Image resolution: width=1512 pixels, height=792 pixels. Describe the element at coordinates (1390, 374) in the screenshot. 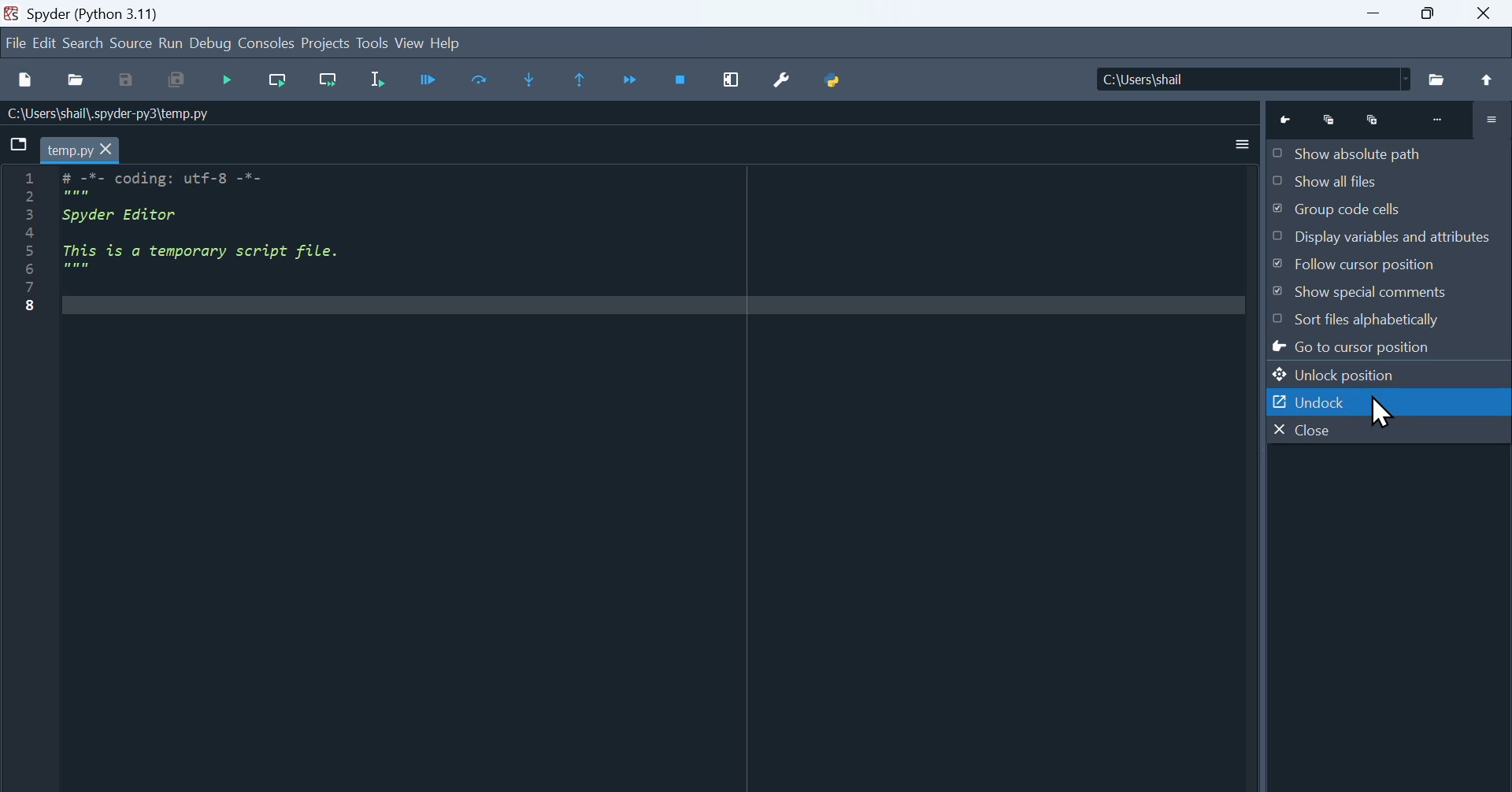

I see `Unlock position` at that location.